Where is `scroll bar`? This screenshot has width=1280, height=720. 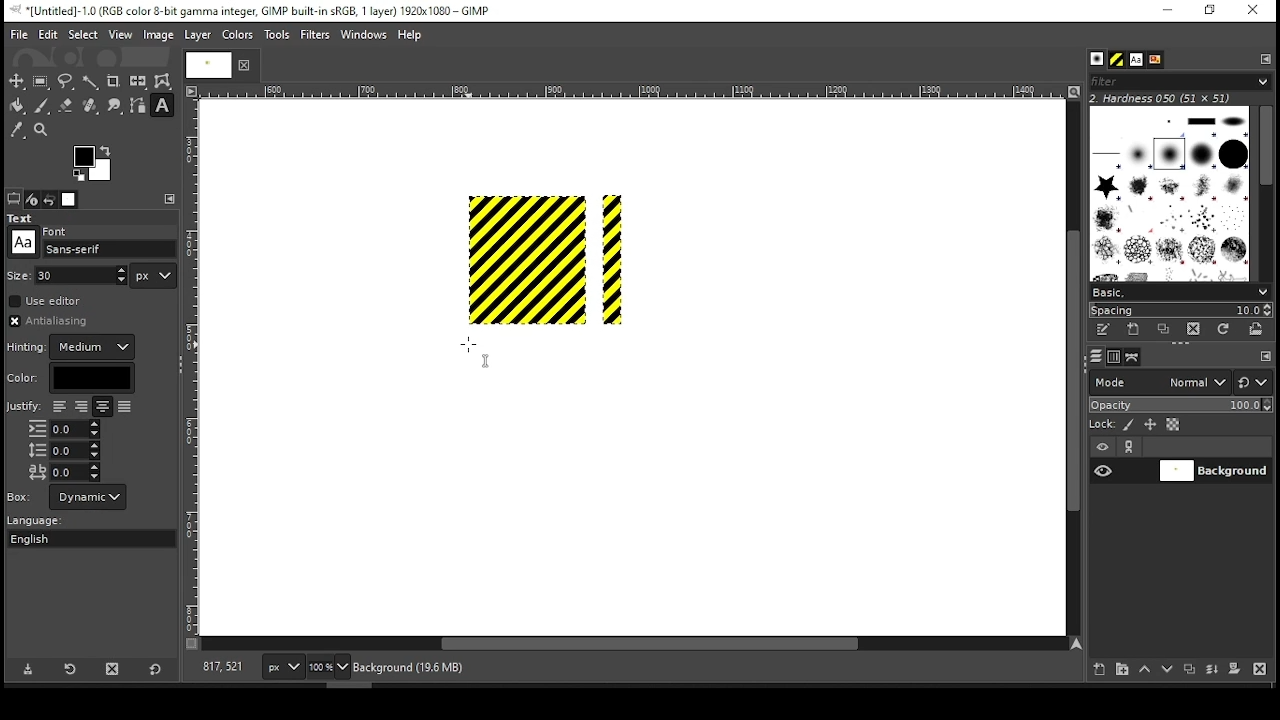 scroll bar is located at coordinates (1265, 192).